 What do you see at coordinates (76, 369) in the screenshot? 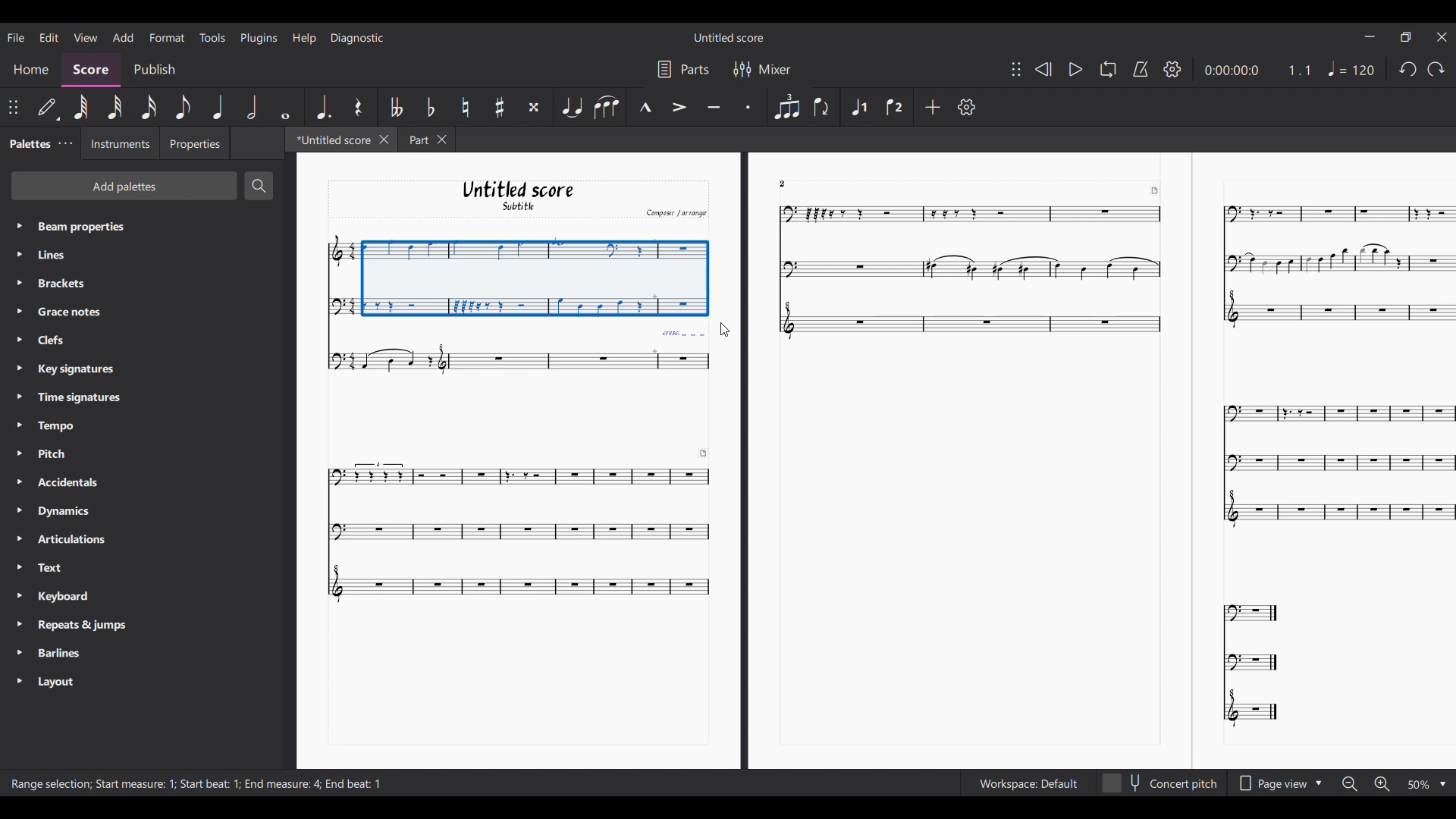
I see `Key Signatures` at bounding box center [76, 369].